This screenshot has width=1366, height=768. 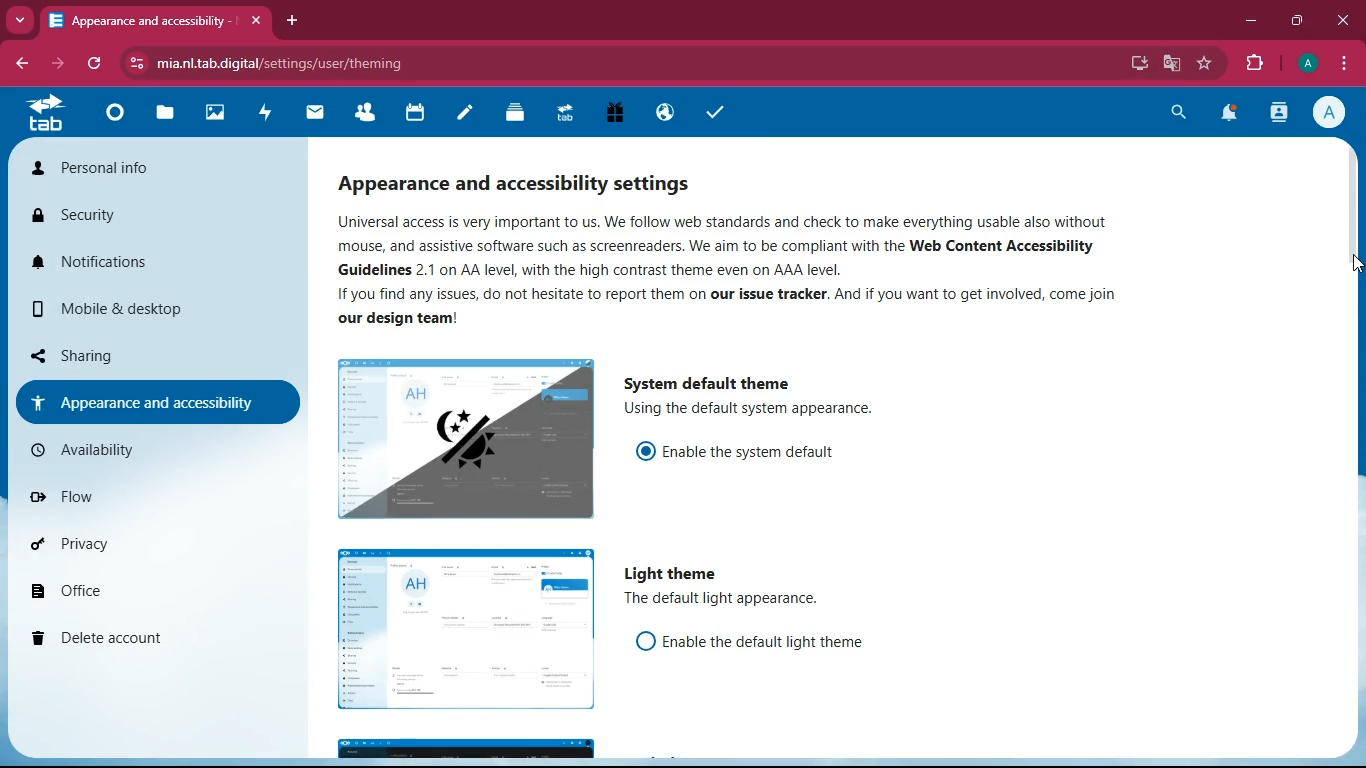 What do you see at coordinates (137, 543) in the screenshot?
I see `privacy` at bounding box center [137, 543].